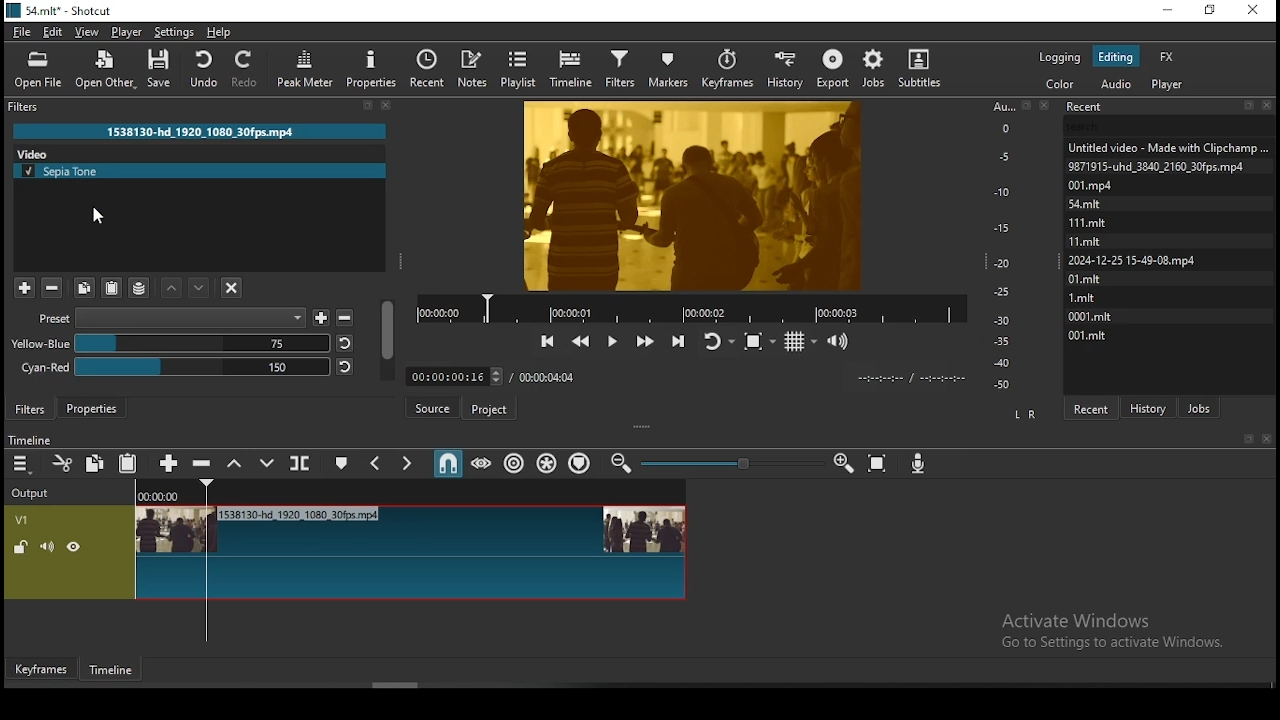  I want to click on overwrite, so click(271, 464).